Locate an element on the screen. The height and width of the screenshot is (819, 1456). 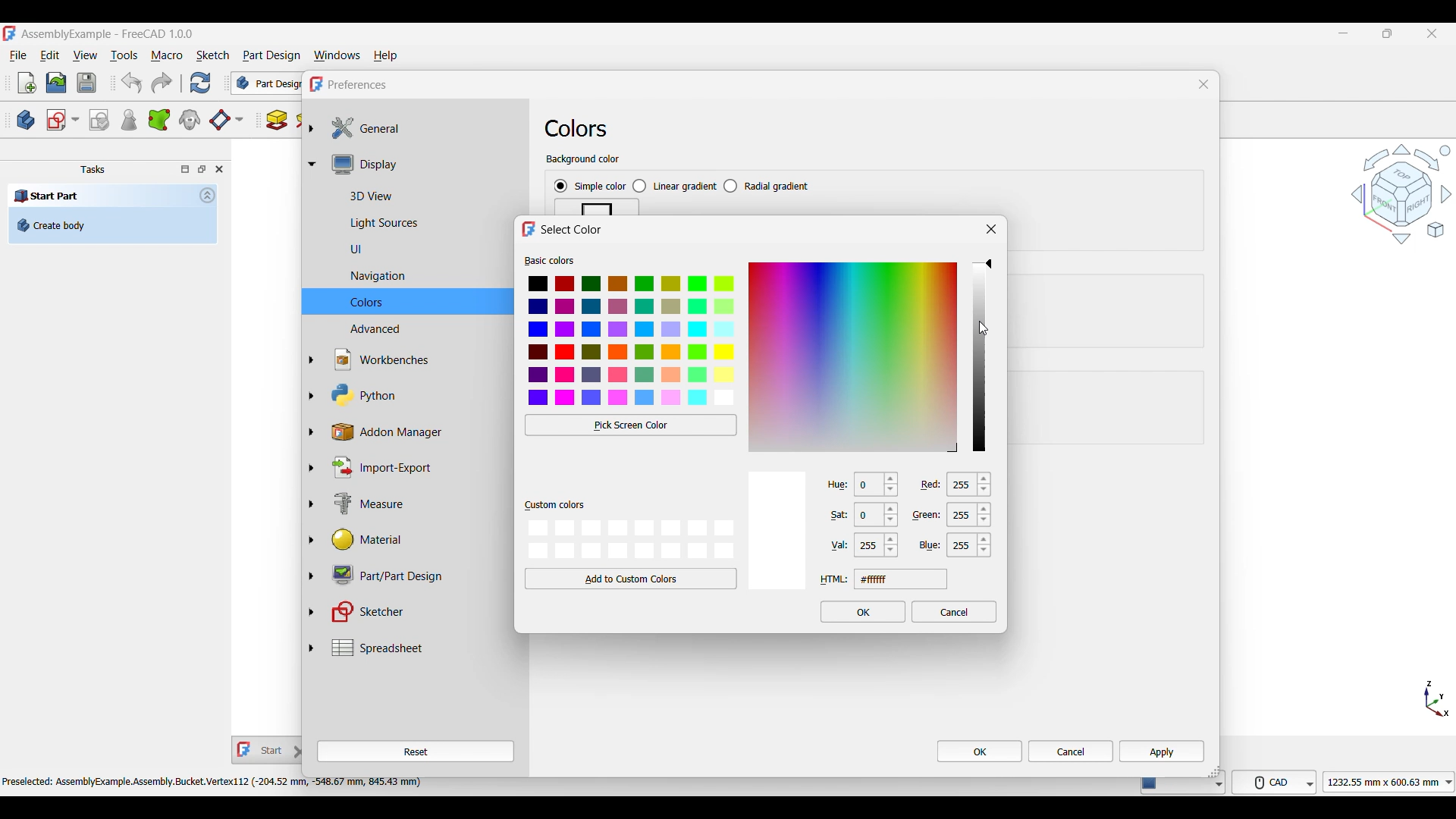
Measure is located at coordinates (416, 505).